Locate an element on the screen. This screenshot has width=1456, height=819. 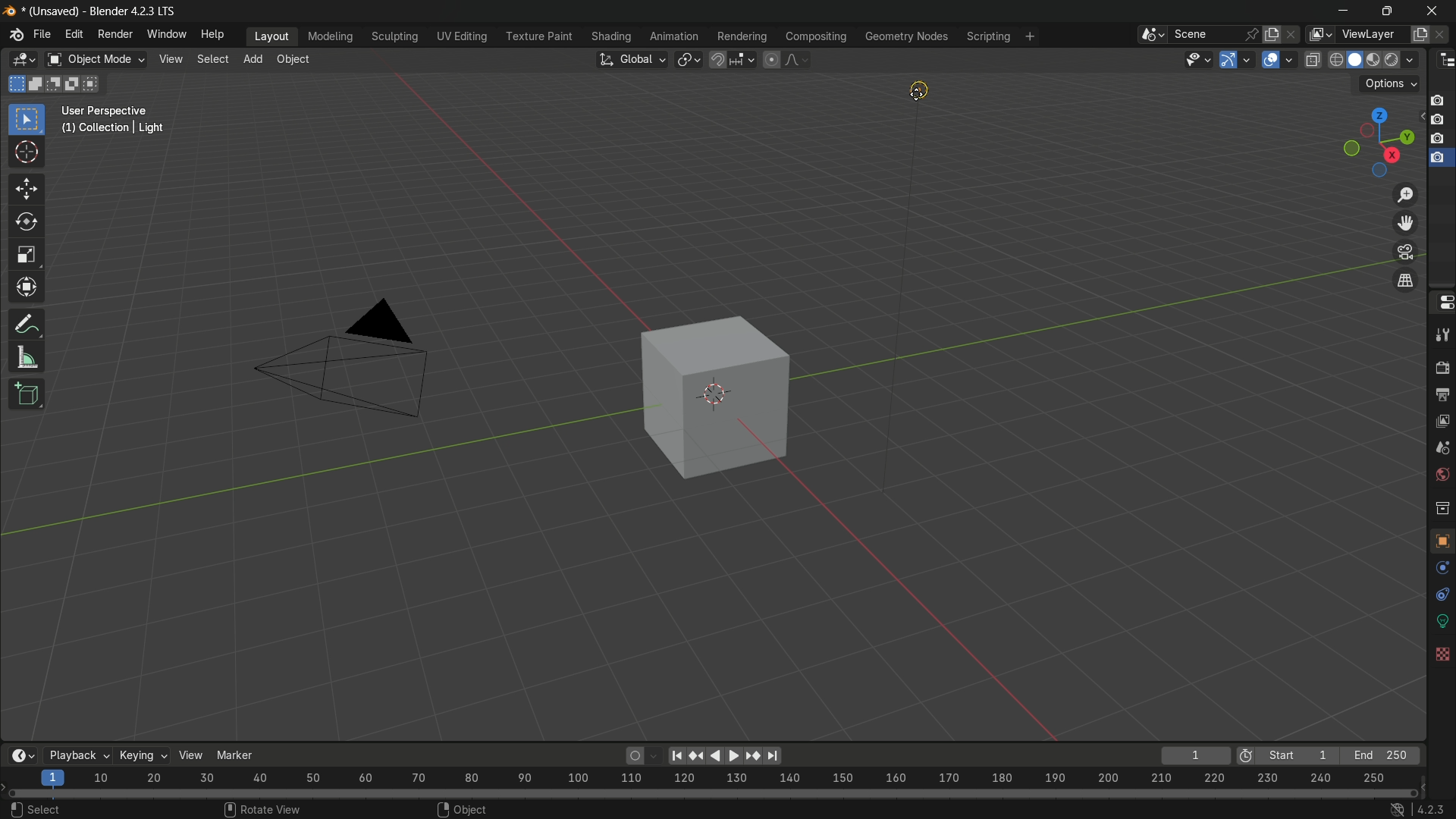
start is located at coordinates (1285, 755).